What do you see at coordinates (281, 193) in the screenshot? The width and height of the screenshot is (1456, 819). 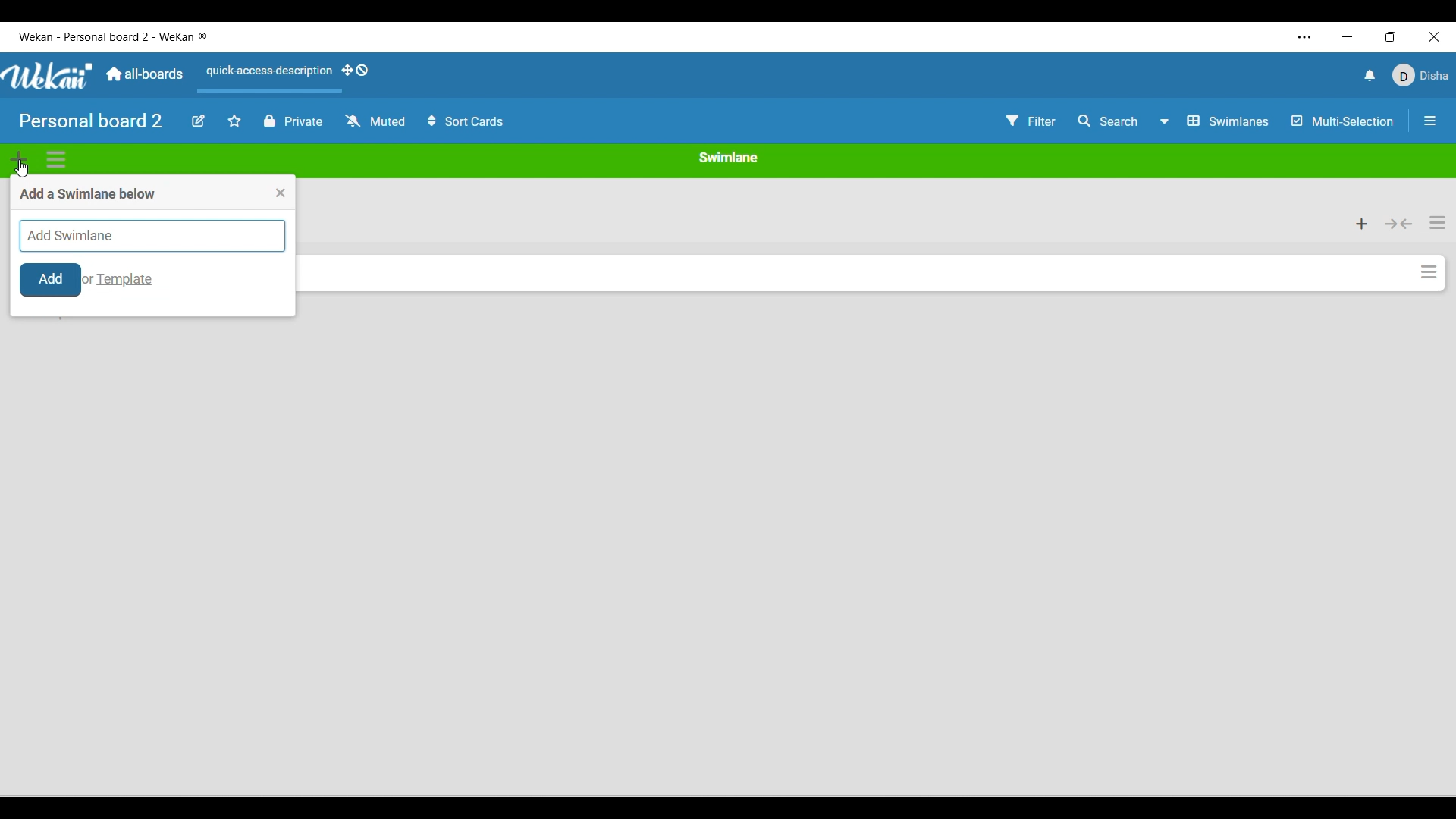 I see `Close settings` at bounding box center [281, 193].